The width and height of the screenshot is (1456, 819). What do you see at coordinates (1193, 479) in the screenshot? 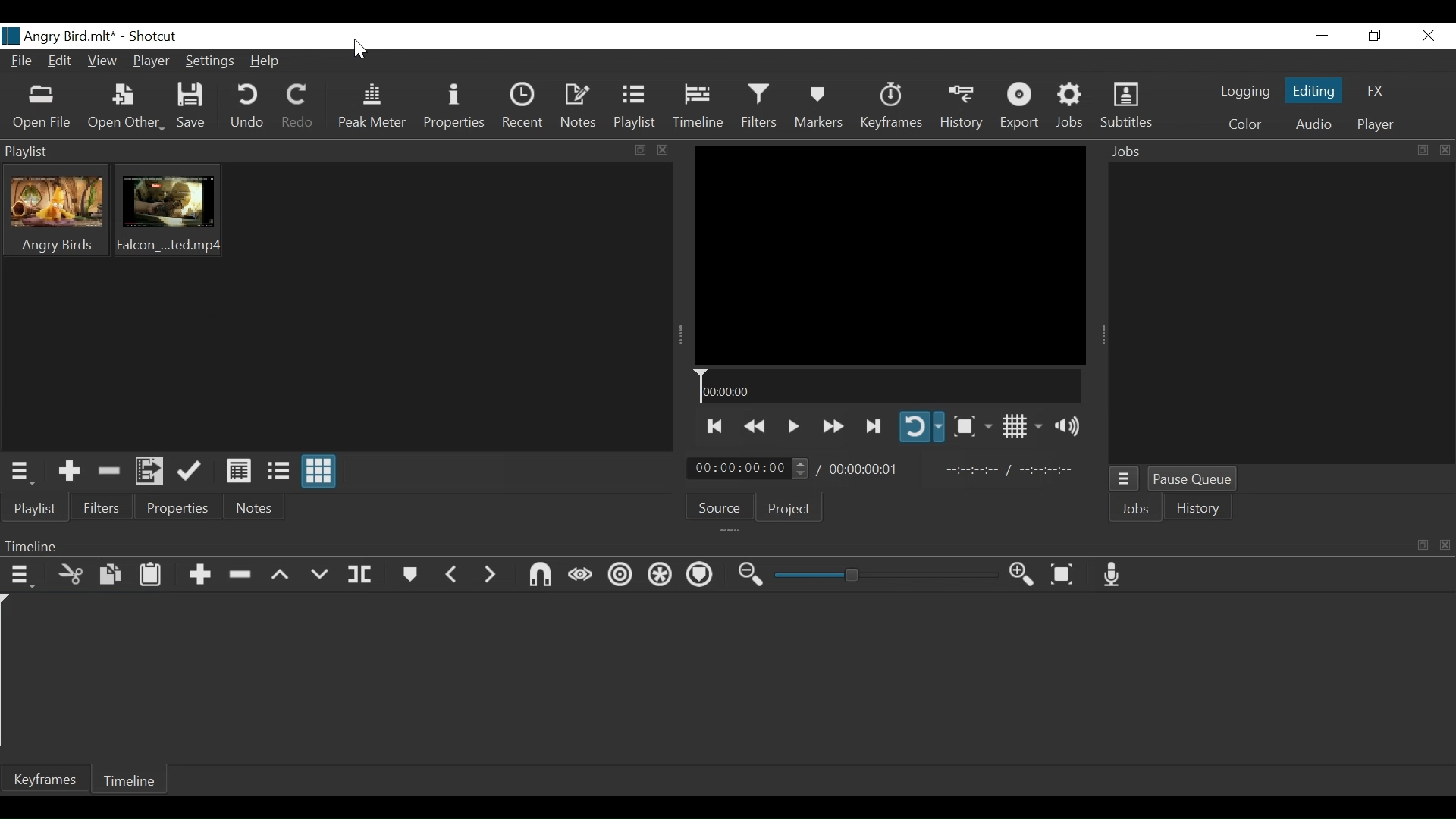
I see `Pause Queue` at bounding box center [1193, 479].